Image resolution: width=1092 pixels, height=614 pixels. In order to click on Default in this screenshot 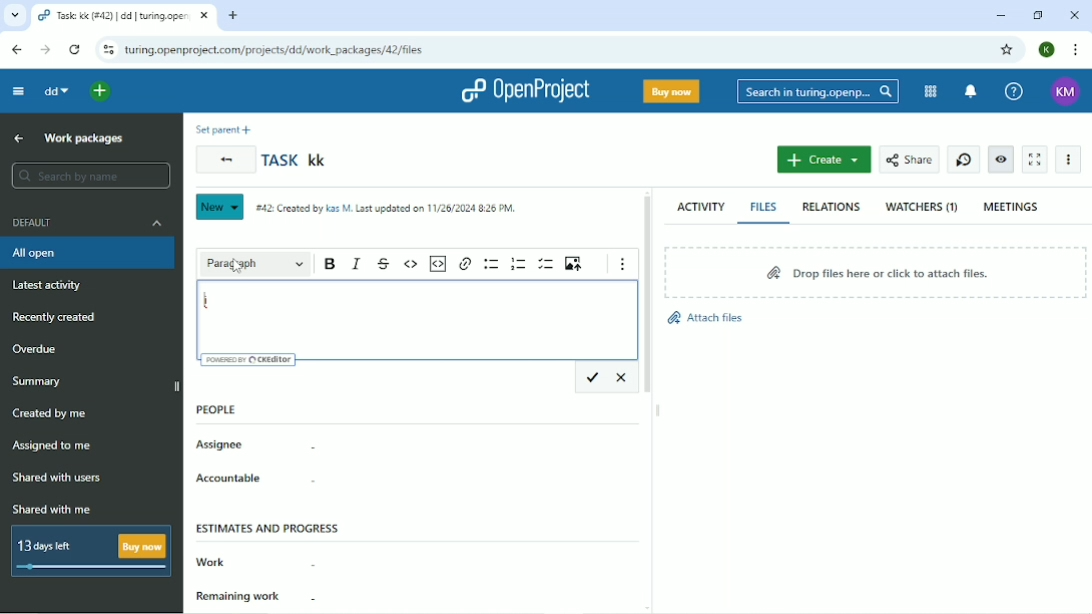, I will do `click(89, 223)`.